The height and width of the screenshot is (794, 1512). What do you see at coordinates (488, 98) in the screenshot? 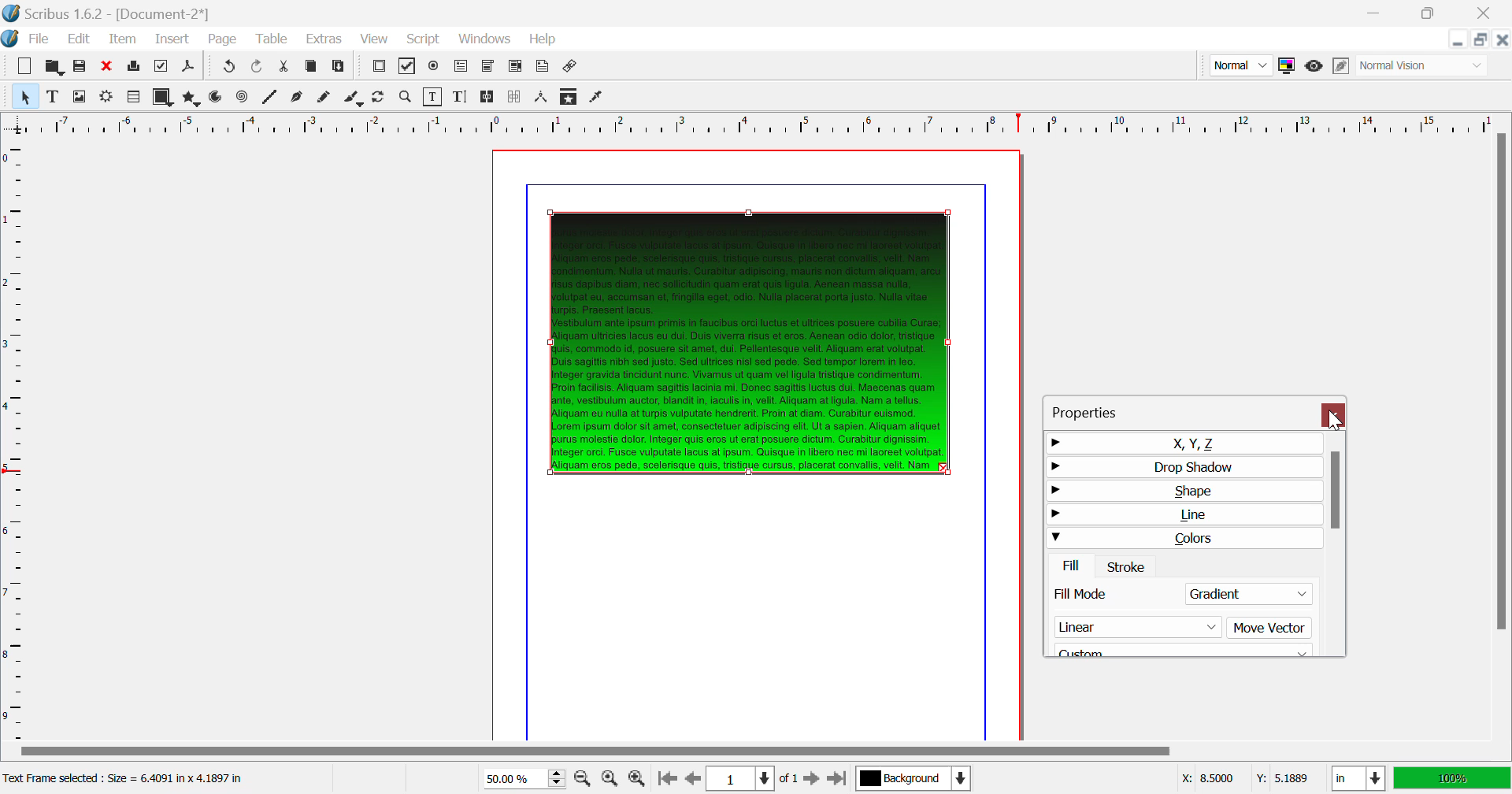
I see `Link Text Frames` at bounding box center [488, 98].